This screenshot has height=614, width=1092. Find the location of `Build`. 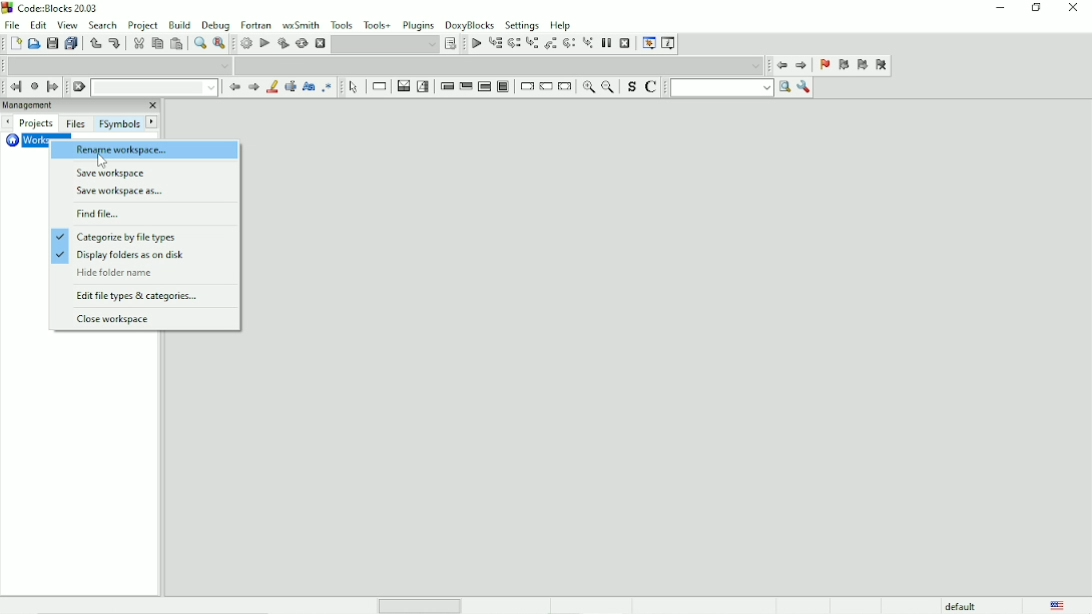

Build is located at coordinates (179, 24).